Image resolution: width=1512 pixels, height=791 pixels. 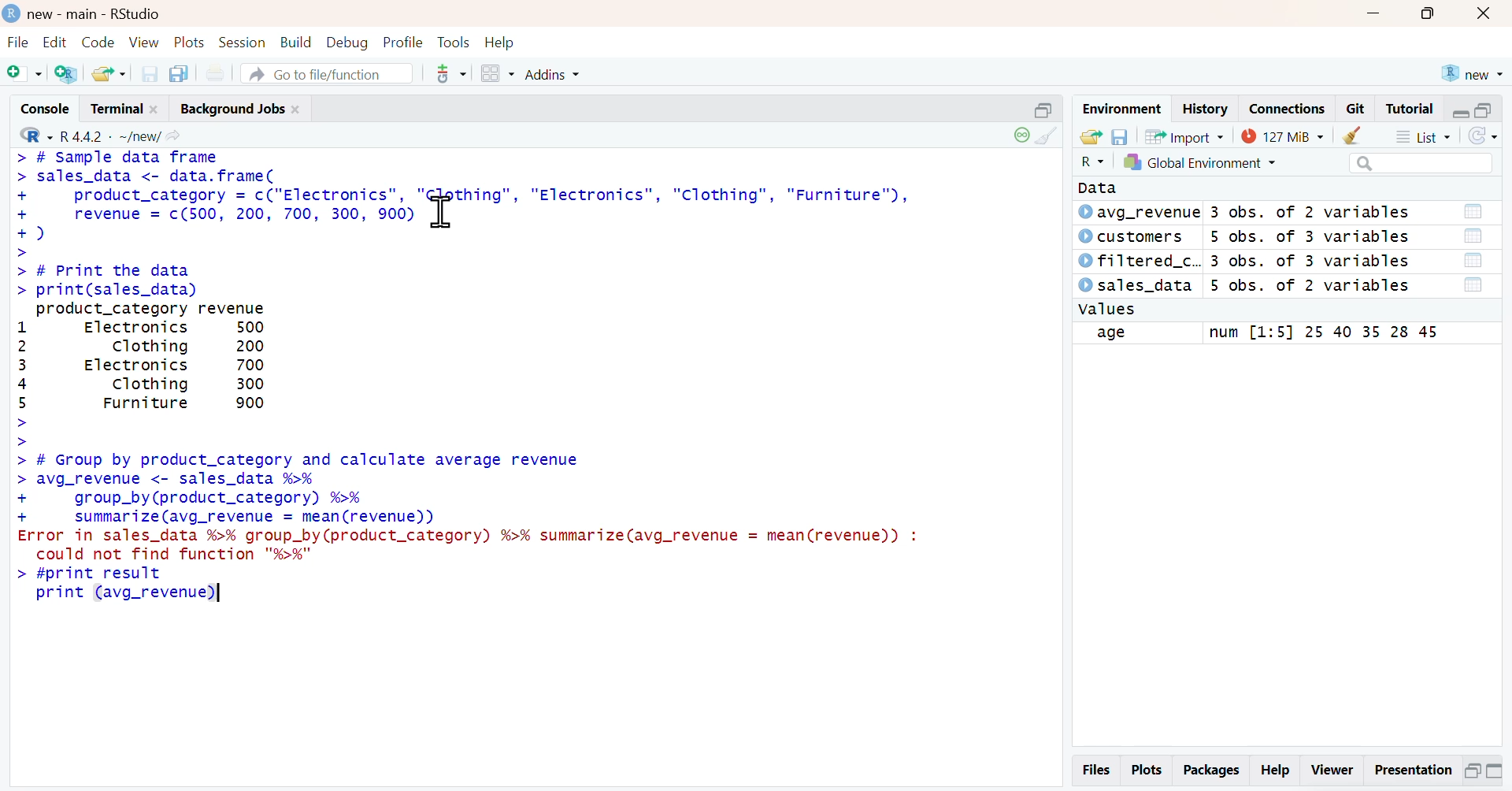 What do you see at coordinates (346, 43) in the screenshot?
I see `Debug` at bounding box center [346, 43].